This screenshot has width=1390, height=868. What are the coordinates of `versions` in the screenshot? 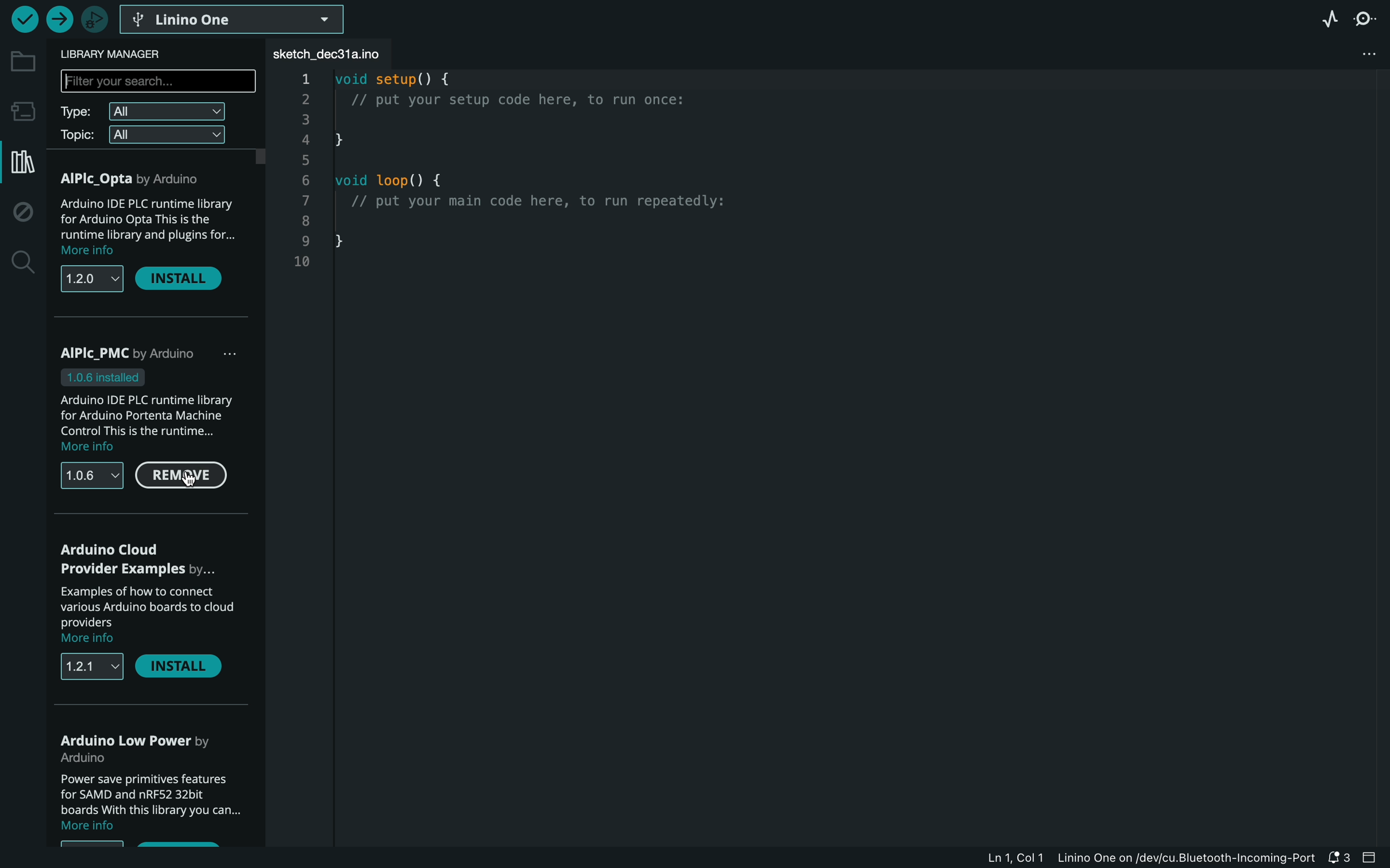 It's located at (91, 475).